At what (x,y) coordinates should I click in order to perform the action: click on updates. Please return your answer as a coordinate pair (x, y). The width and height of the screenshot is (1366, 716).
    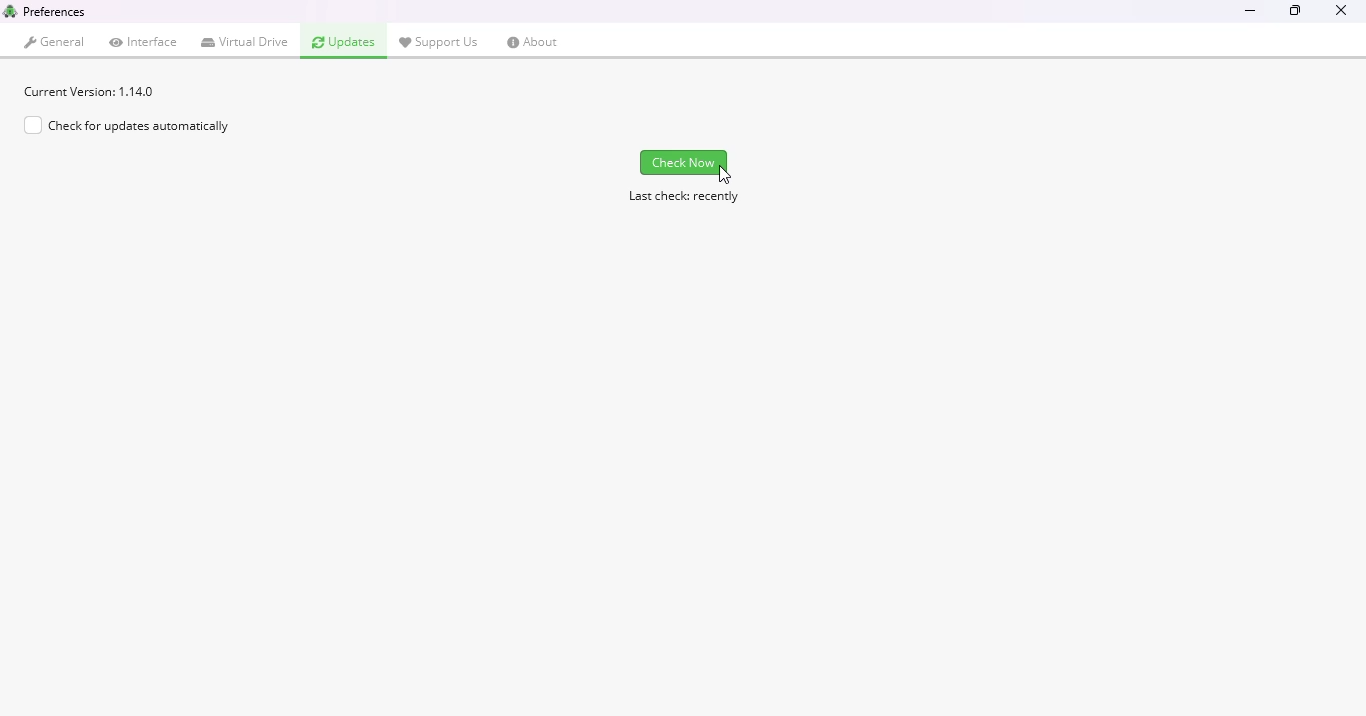
    Looking at the image, I should click on (344, 42).